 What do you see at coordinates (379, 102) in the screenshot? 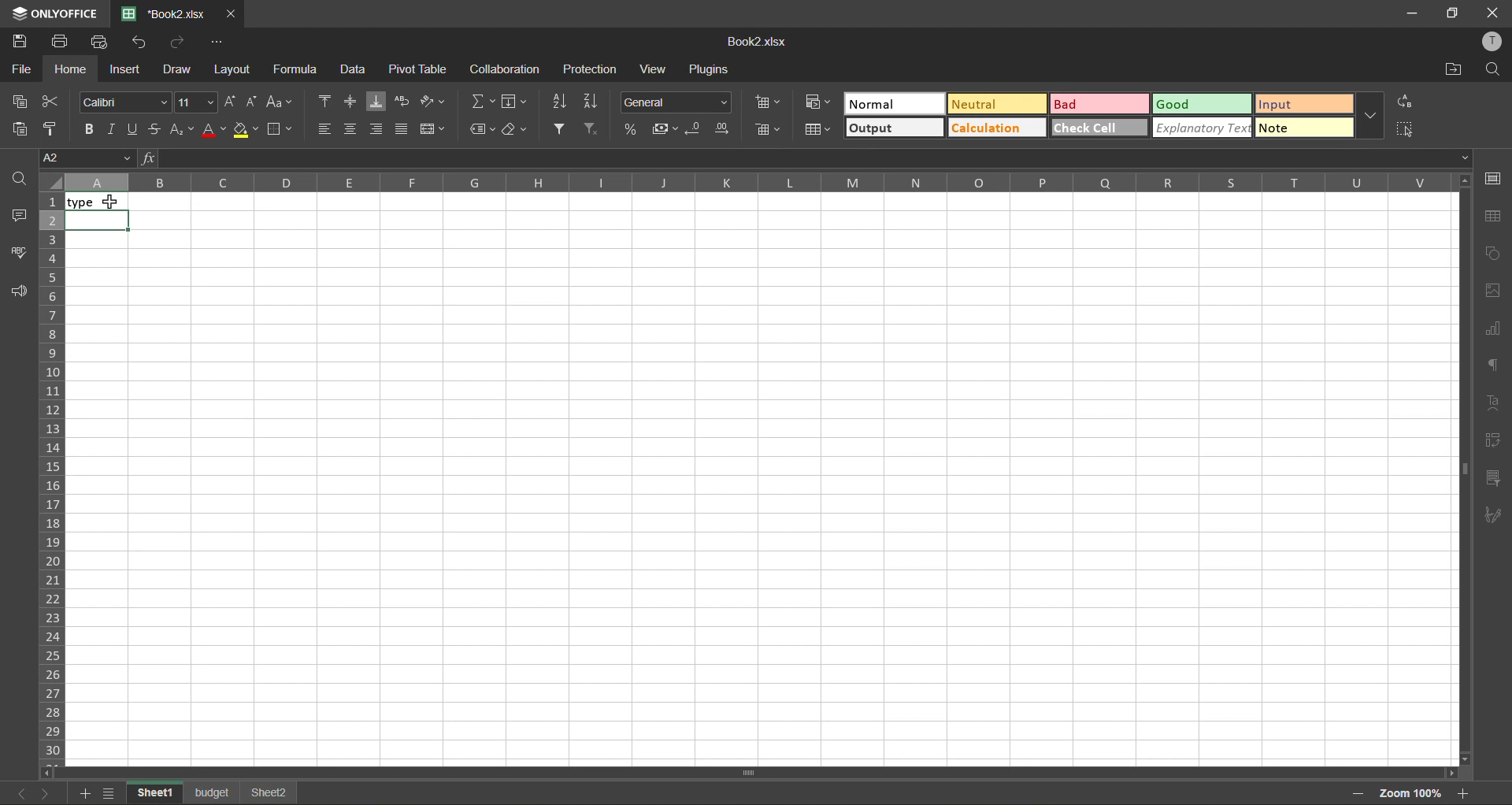
I see `align bottom` at bounding box center [379, 102].